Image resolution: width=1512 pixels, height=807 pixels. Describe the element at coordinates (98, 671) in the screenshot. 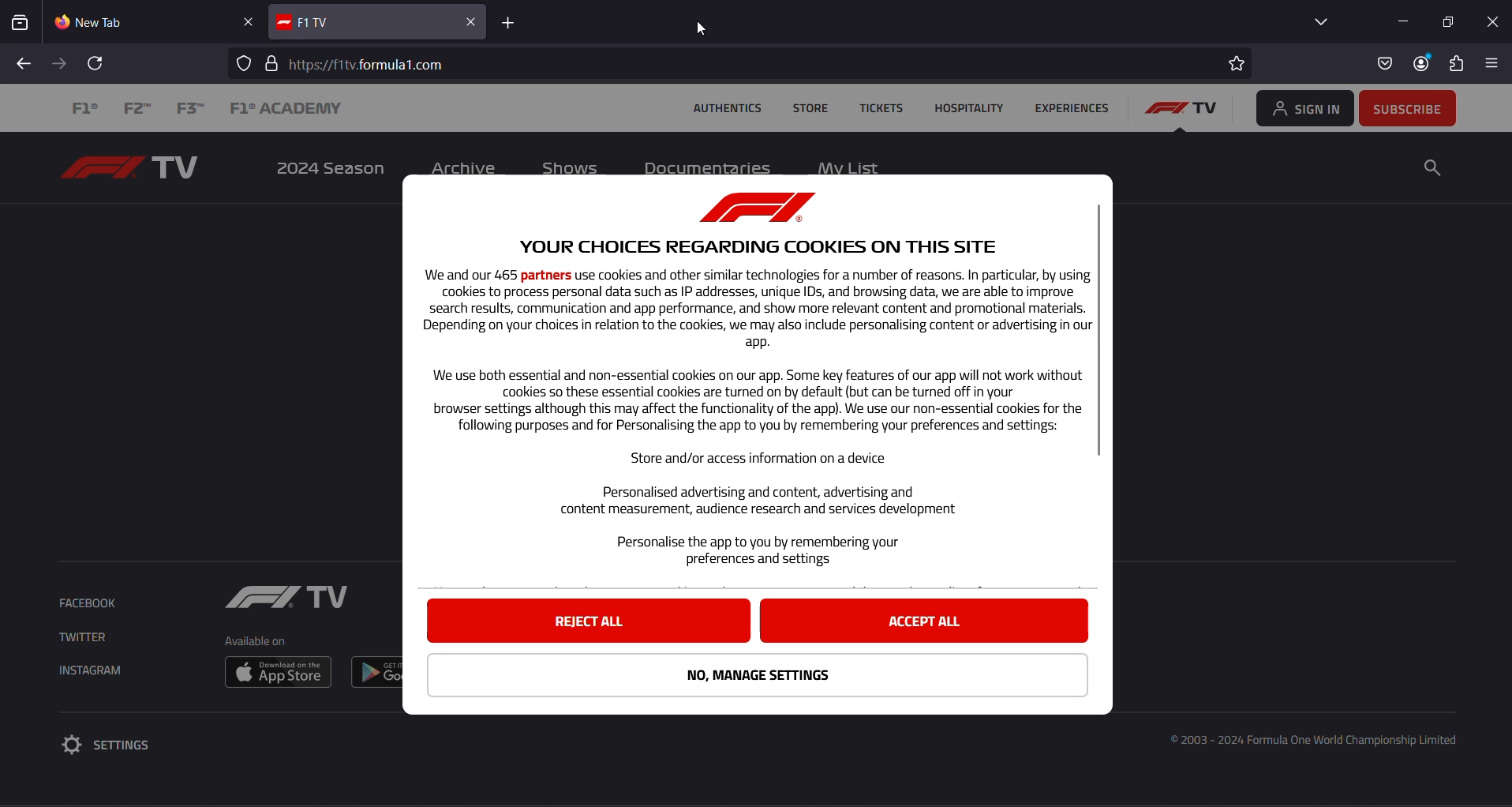

I see `instagram` at that location.